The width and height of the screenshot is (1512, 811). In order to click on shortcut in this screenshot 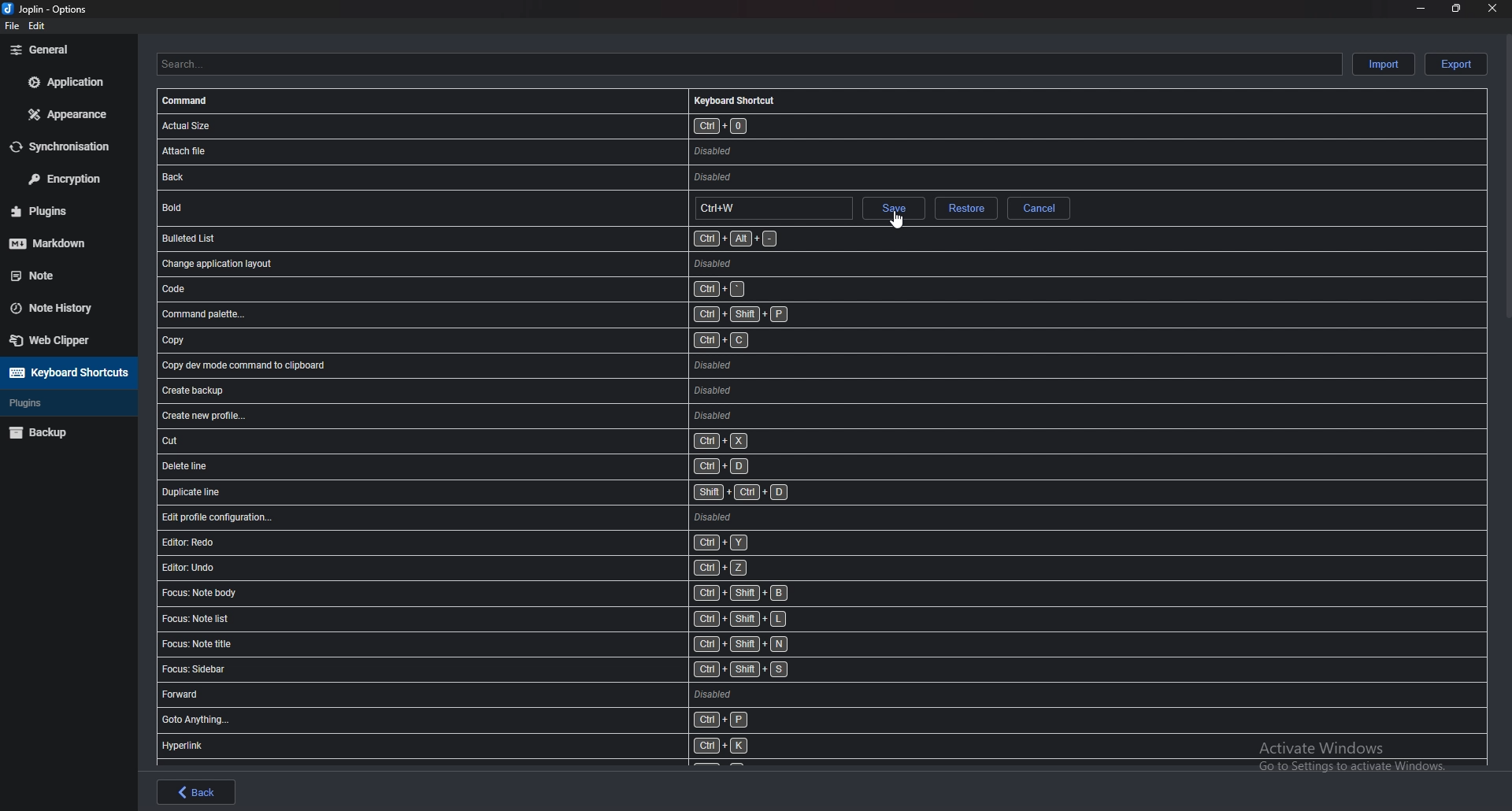, I will do `click(472, 178)`.